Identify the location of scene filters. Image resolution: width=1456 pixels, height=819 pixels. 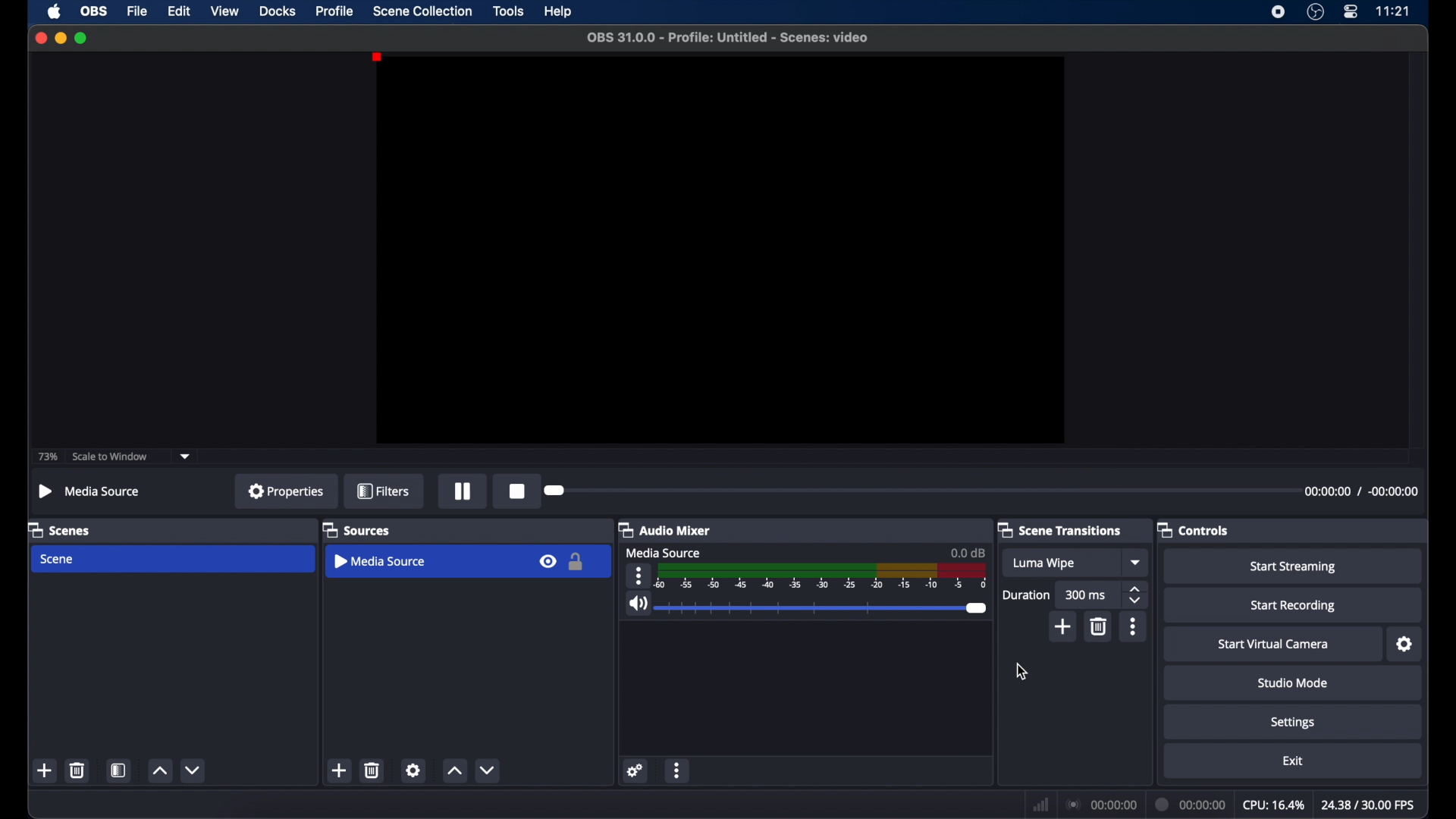
(120, 770).